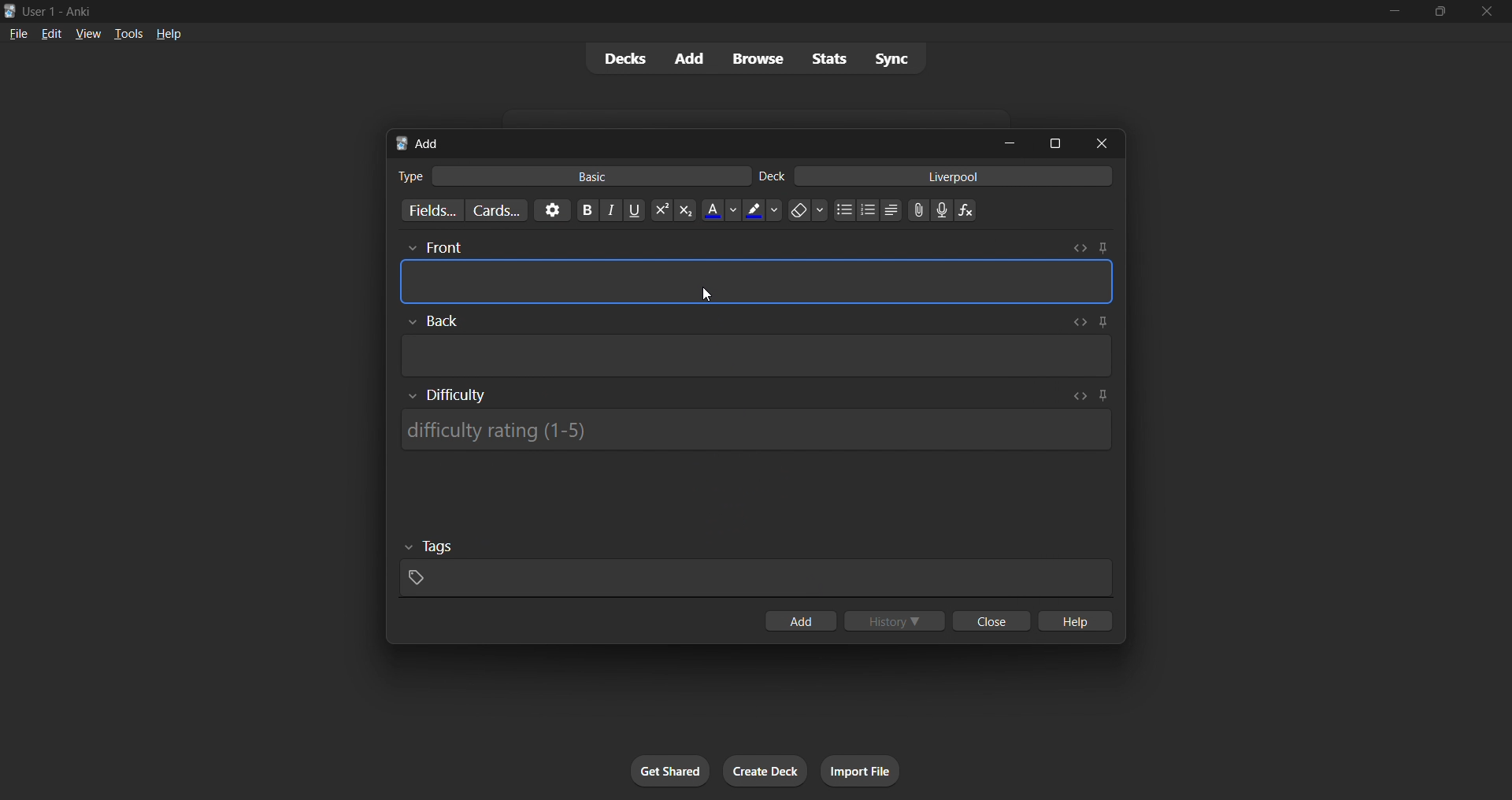 The image size is (1512, 800). What do you see at coordinates (1102, 248) in the screenshot?
I see `Toggle sticky` at bounding box center [1102, 248].